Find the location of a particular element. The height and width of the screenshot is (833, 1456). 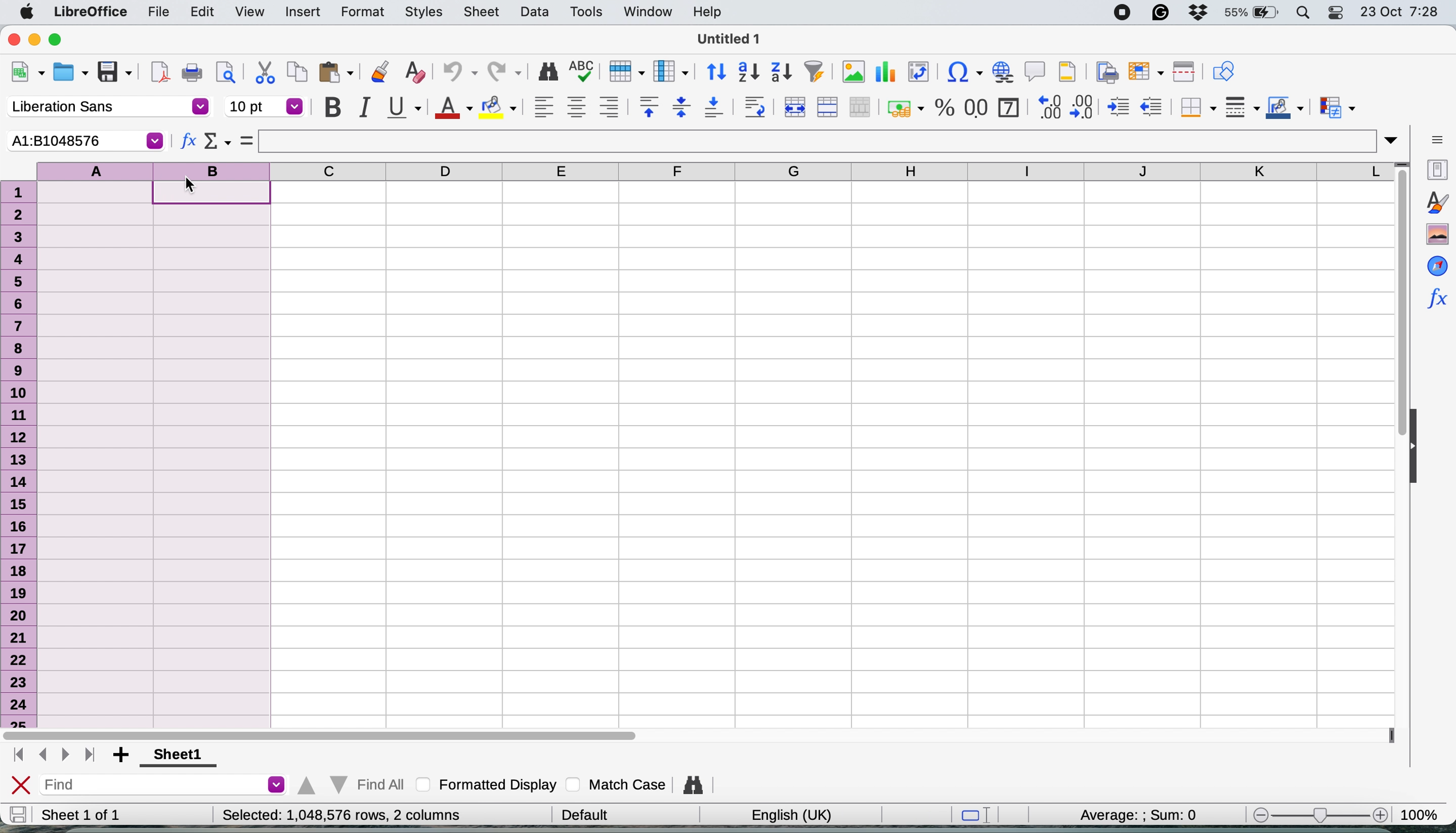

font size is located at coordinates (265, 106).